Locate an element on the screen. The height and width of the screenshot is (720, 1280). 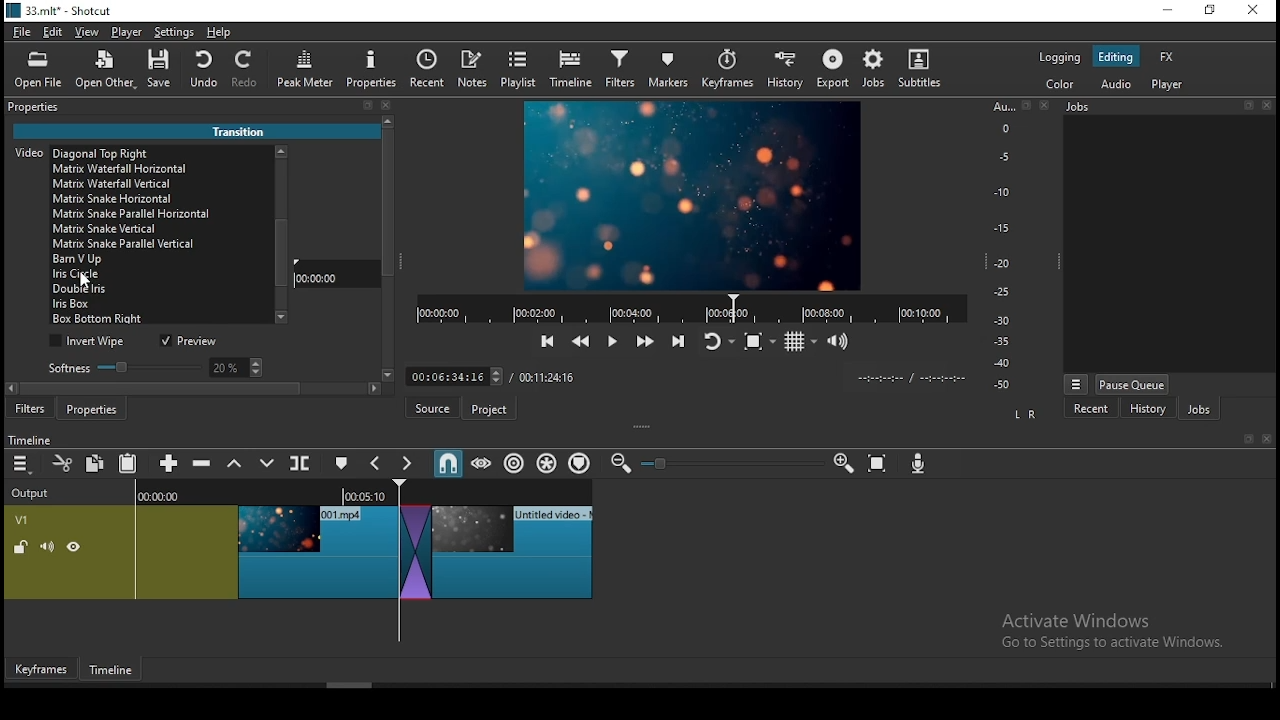
 is located at coordinates (1250, 106).